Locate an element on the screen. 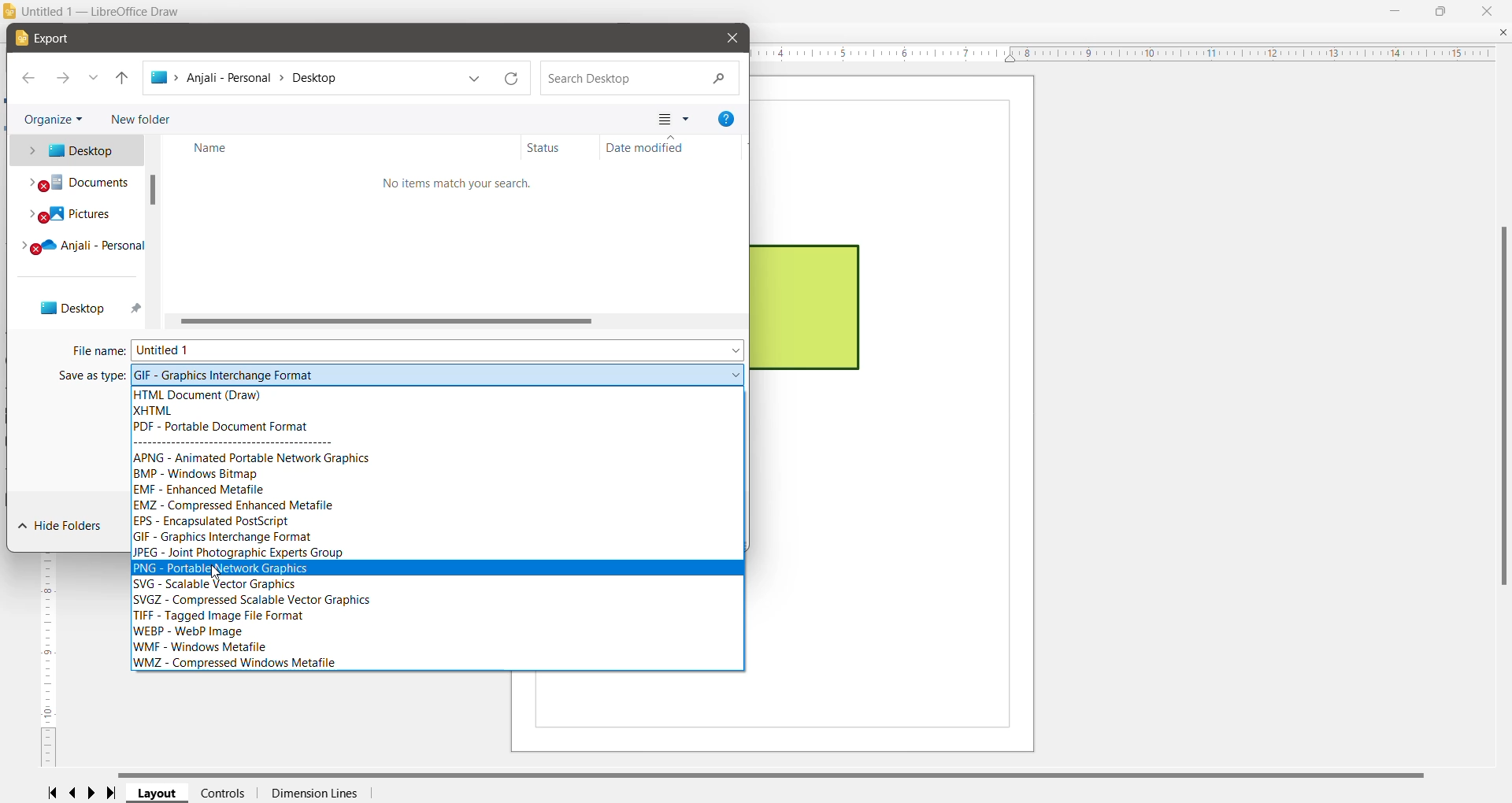 The image size is (1512, 803). Move up one level is located at coordinates (122, 80).